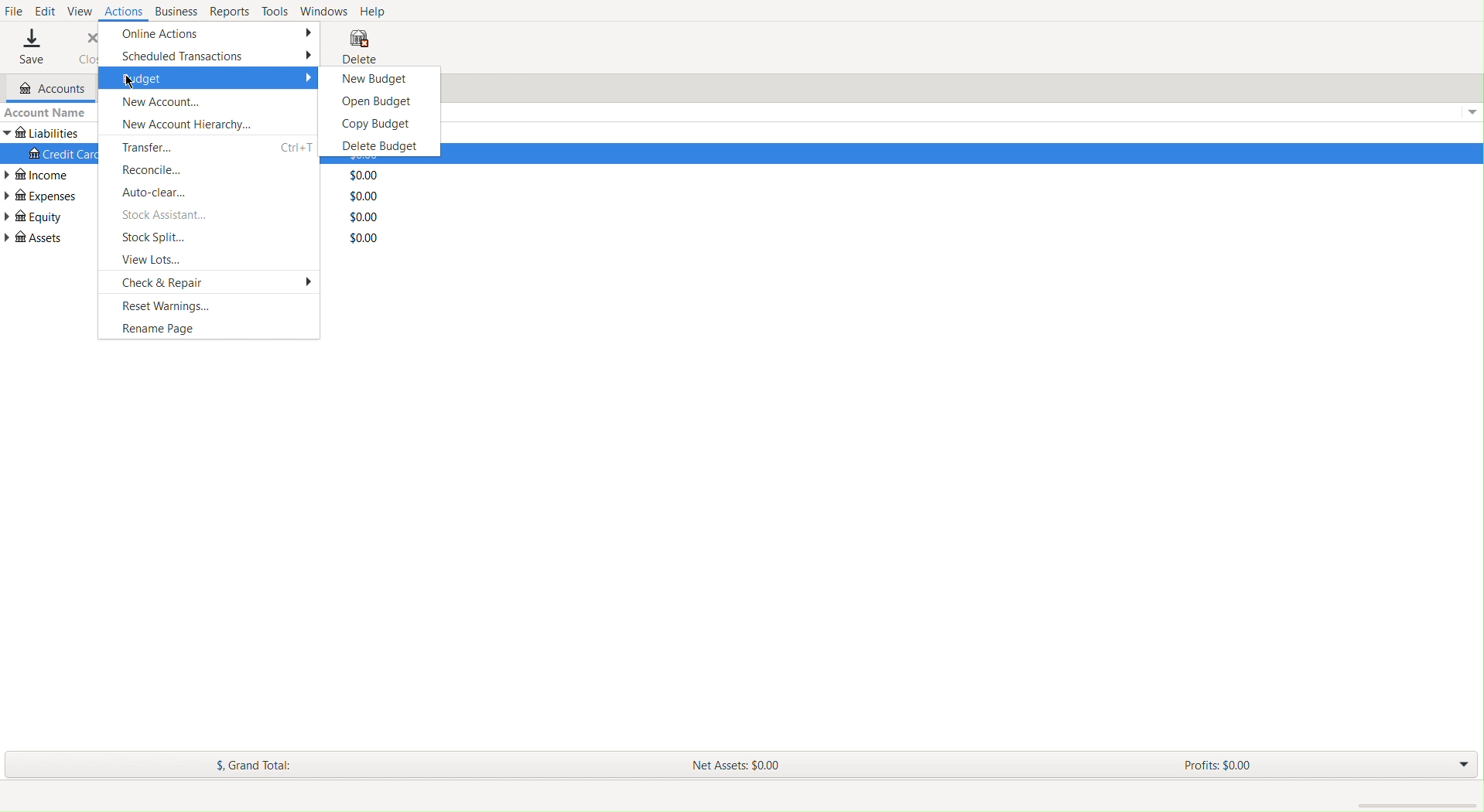 The height and width of the screenshot is (812, 1484). What do you see at coordinates (374, 145) in the screenshot?
I see `Delete Budget` at bounding box center [374, 145].